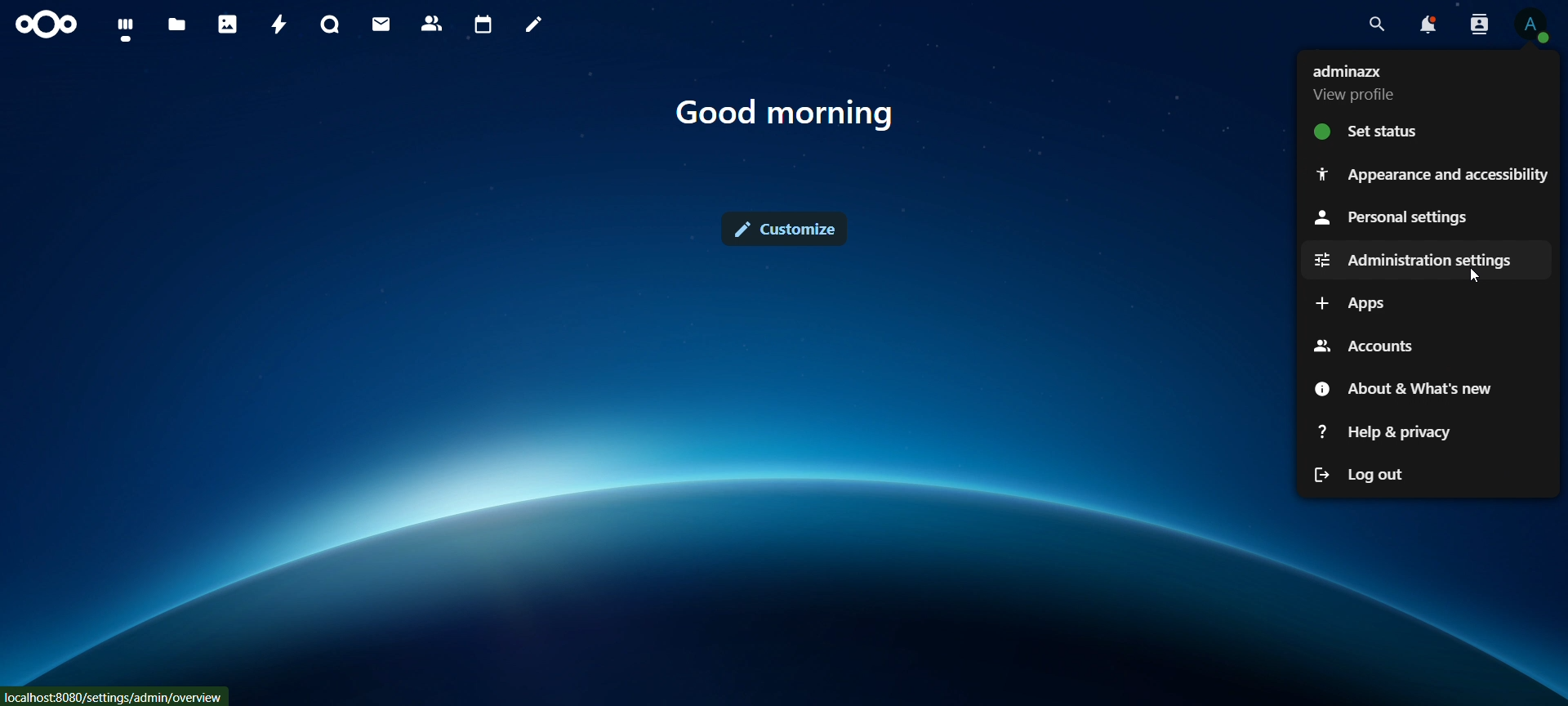 Image resolution: width=1568 pixels, height=706 pixels. What do you see at coordinates (1395, 436) in the screenshot?
I see `help & privacy` at bounding box center [1395, 436].